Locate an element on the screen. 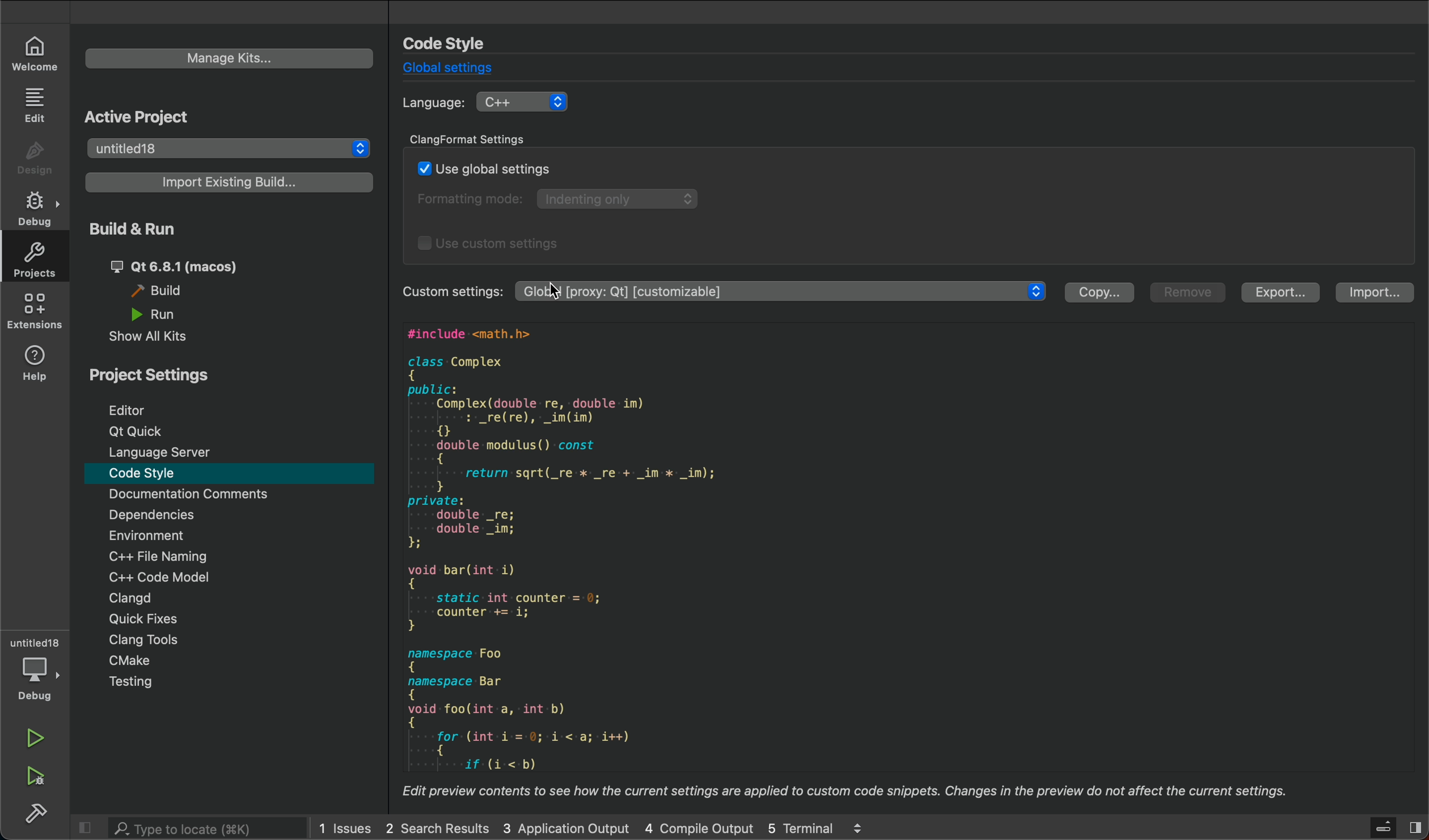 This screenshot has width=1429, height=840. copy is located at coordinates (1101, 292).